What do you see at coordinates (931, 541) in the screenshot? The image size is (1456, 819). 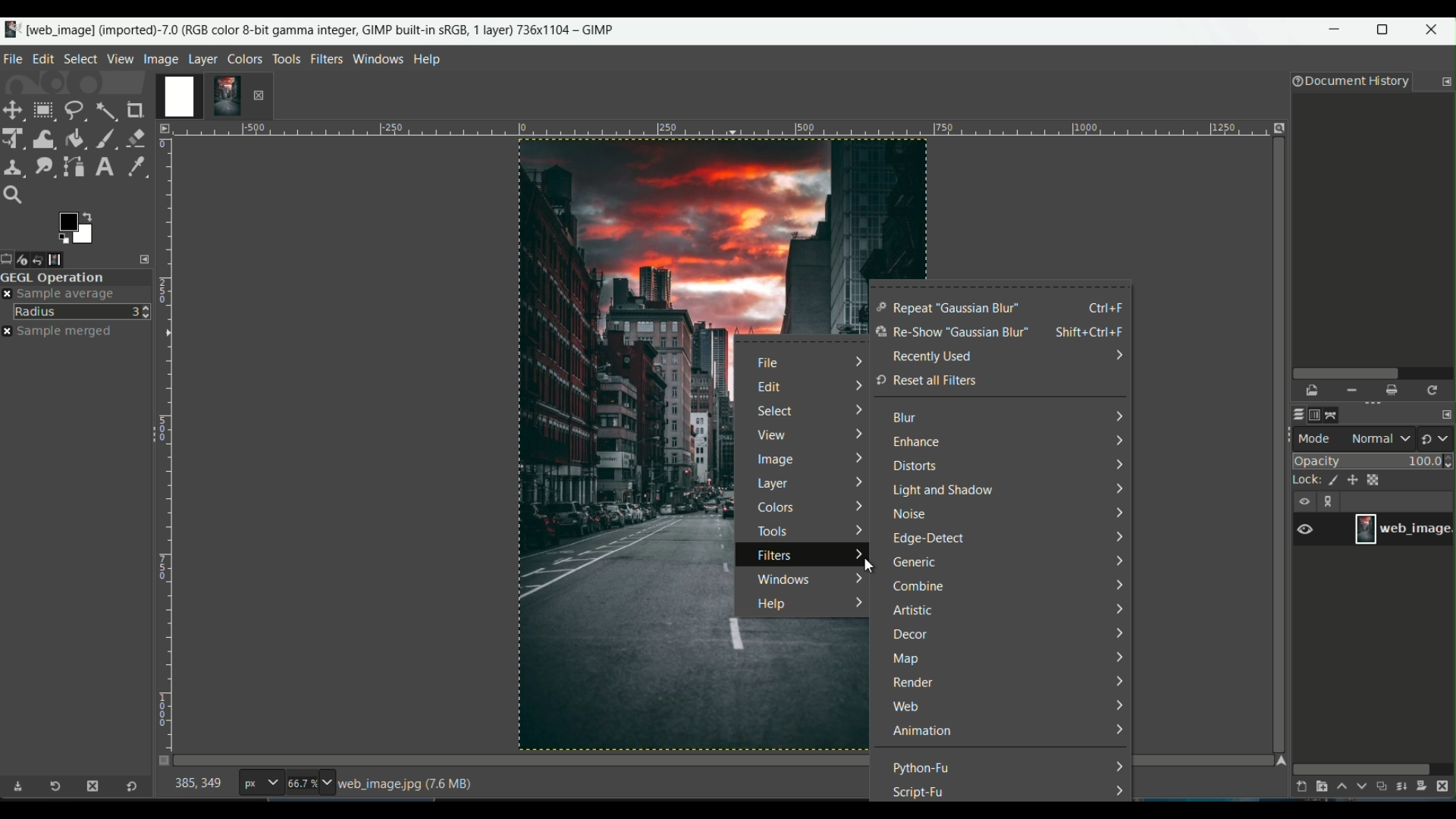 I see `edge detect` at bounding box center [931, 541].